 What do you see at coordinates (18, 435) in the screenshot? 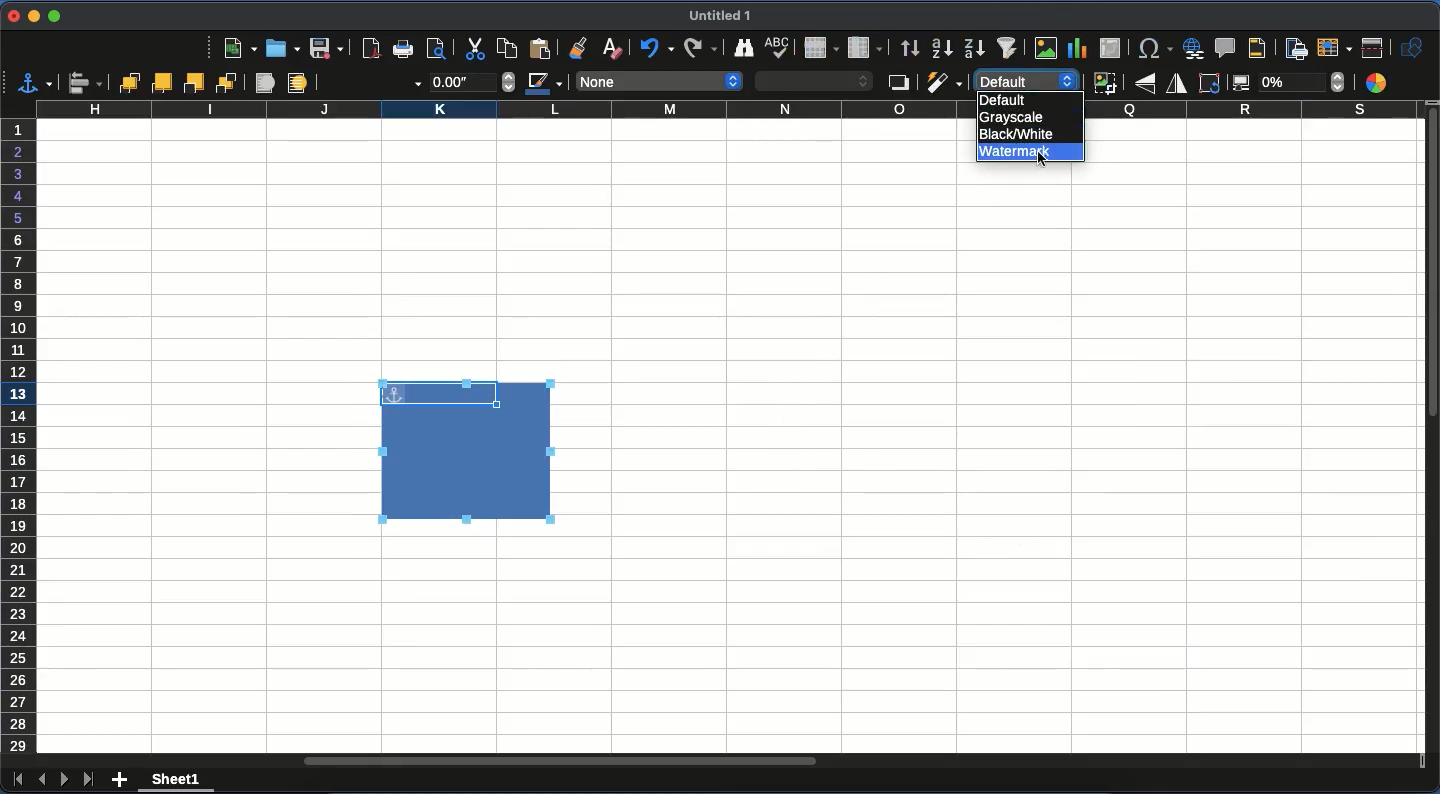
I see `row` at bounding box center [18, 435].